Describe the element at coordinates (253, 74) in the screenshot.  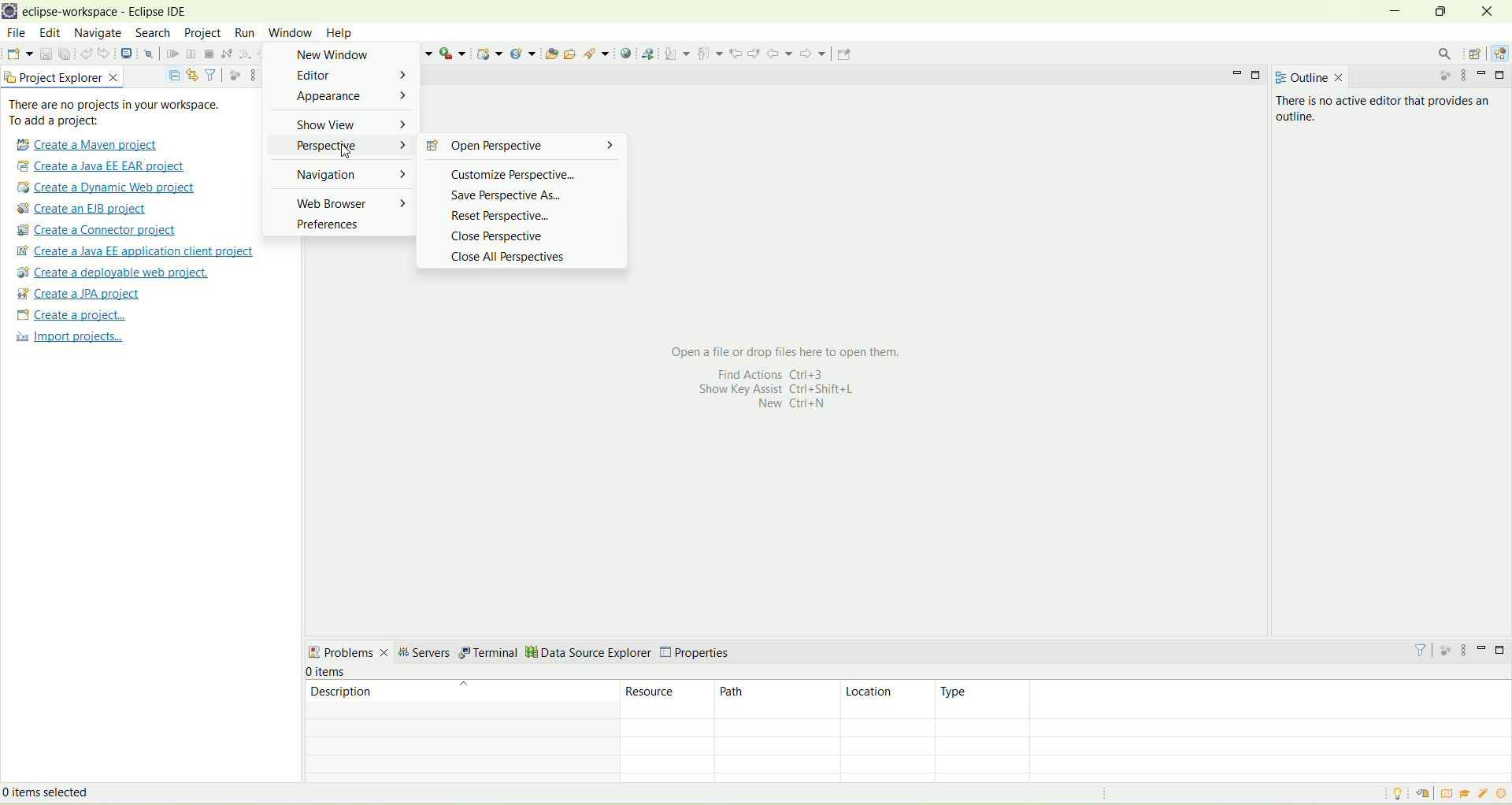
I see `view menu` at that location.